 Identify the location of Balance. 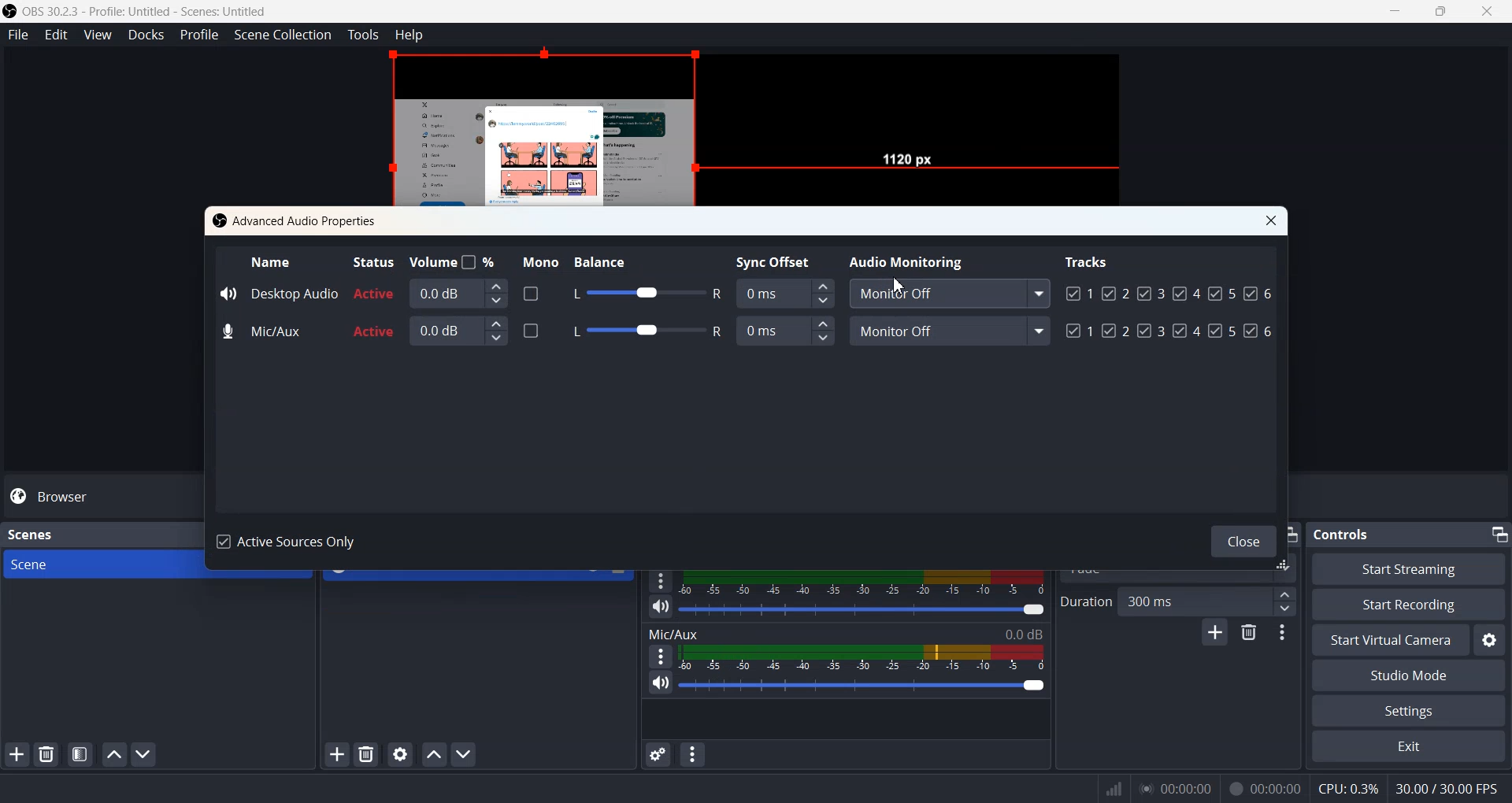
(614, 259).